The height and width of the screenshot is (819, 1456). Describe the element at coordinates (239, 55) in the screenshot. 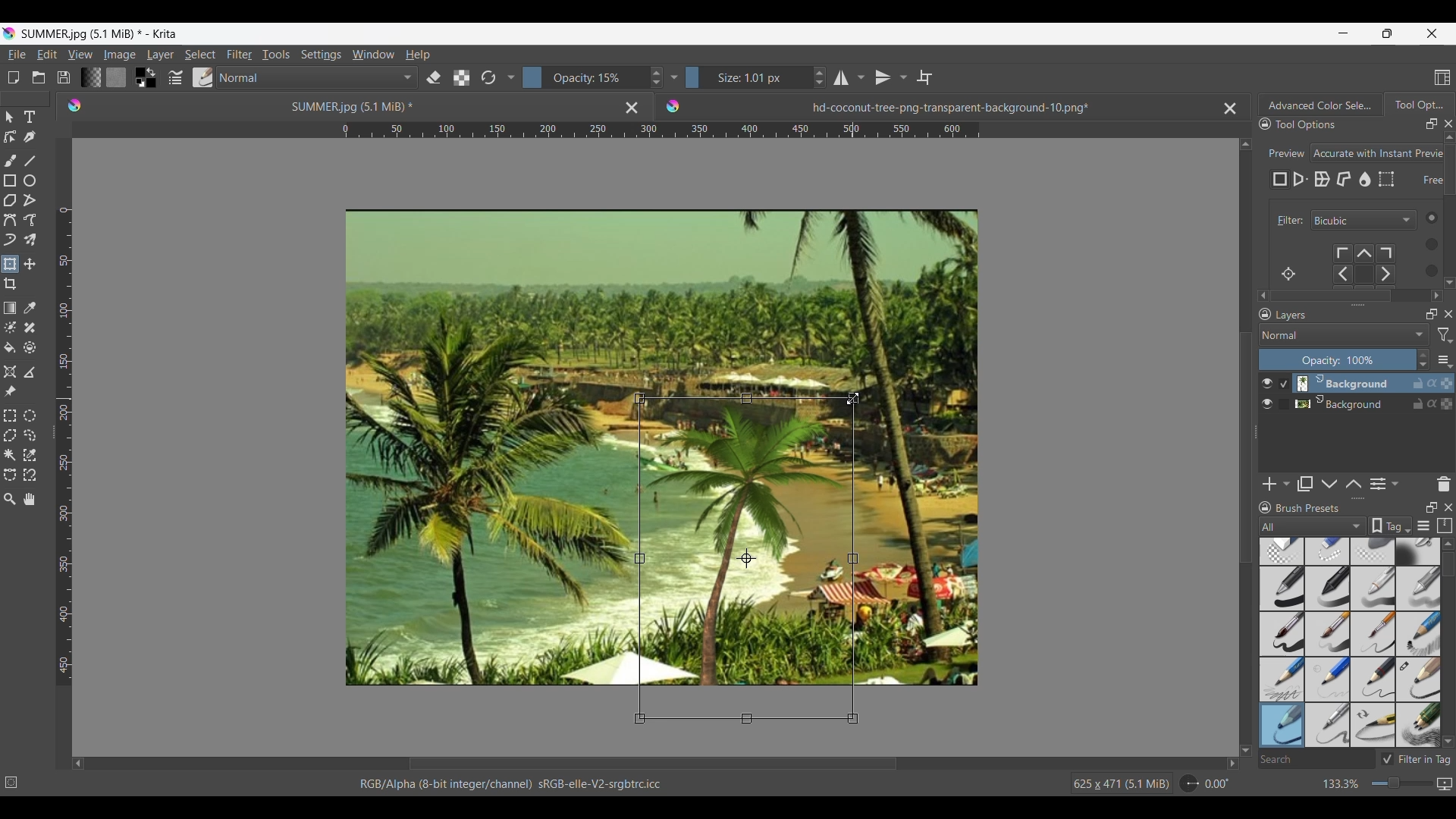

I see `Filter` at that location.